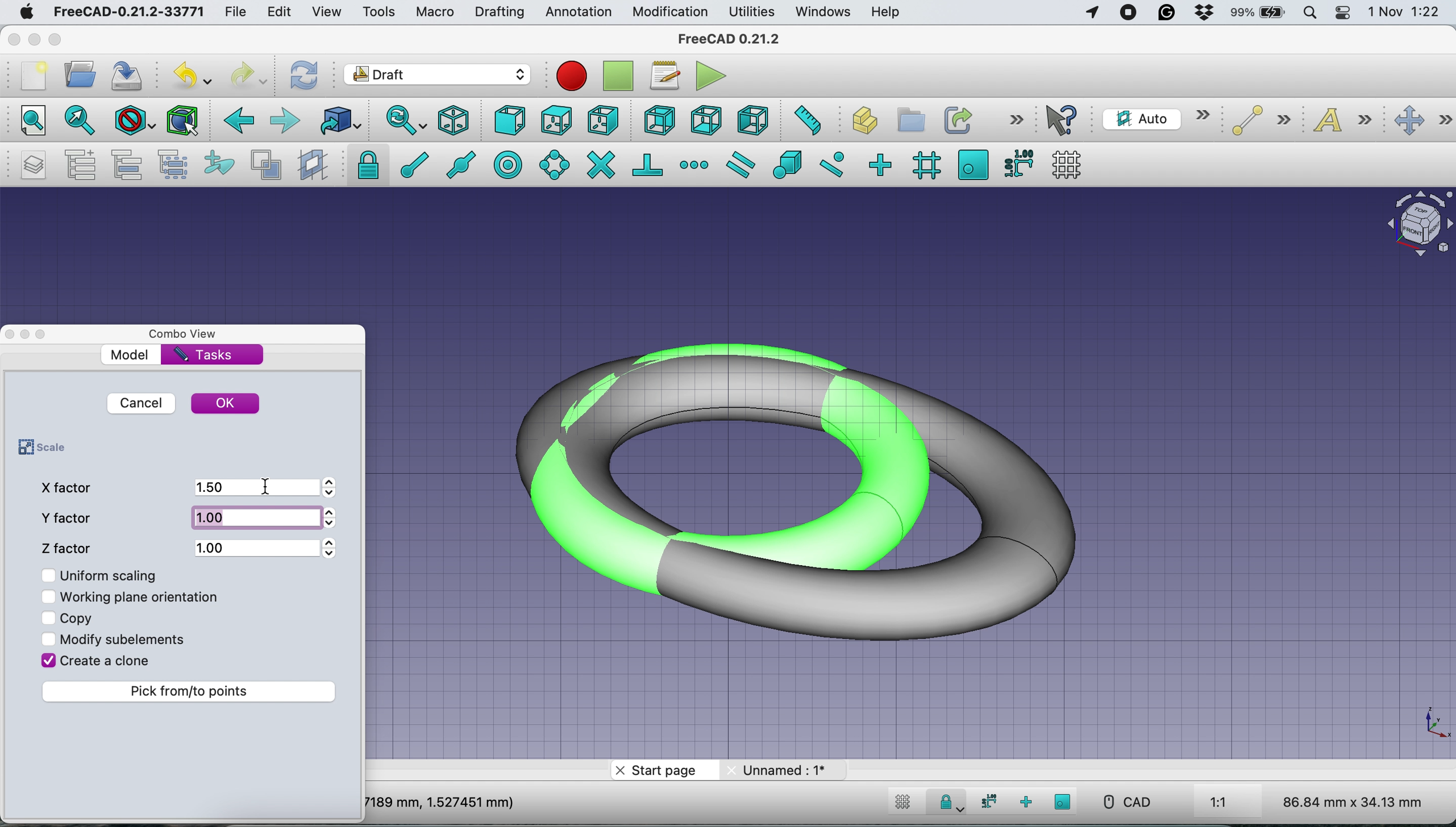 The height and width of the screenshot is (827, 1456). What do you see at coordinates (600, 165) in the screenshot?
I see `snap intersection` at bounding box center [600, 165].